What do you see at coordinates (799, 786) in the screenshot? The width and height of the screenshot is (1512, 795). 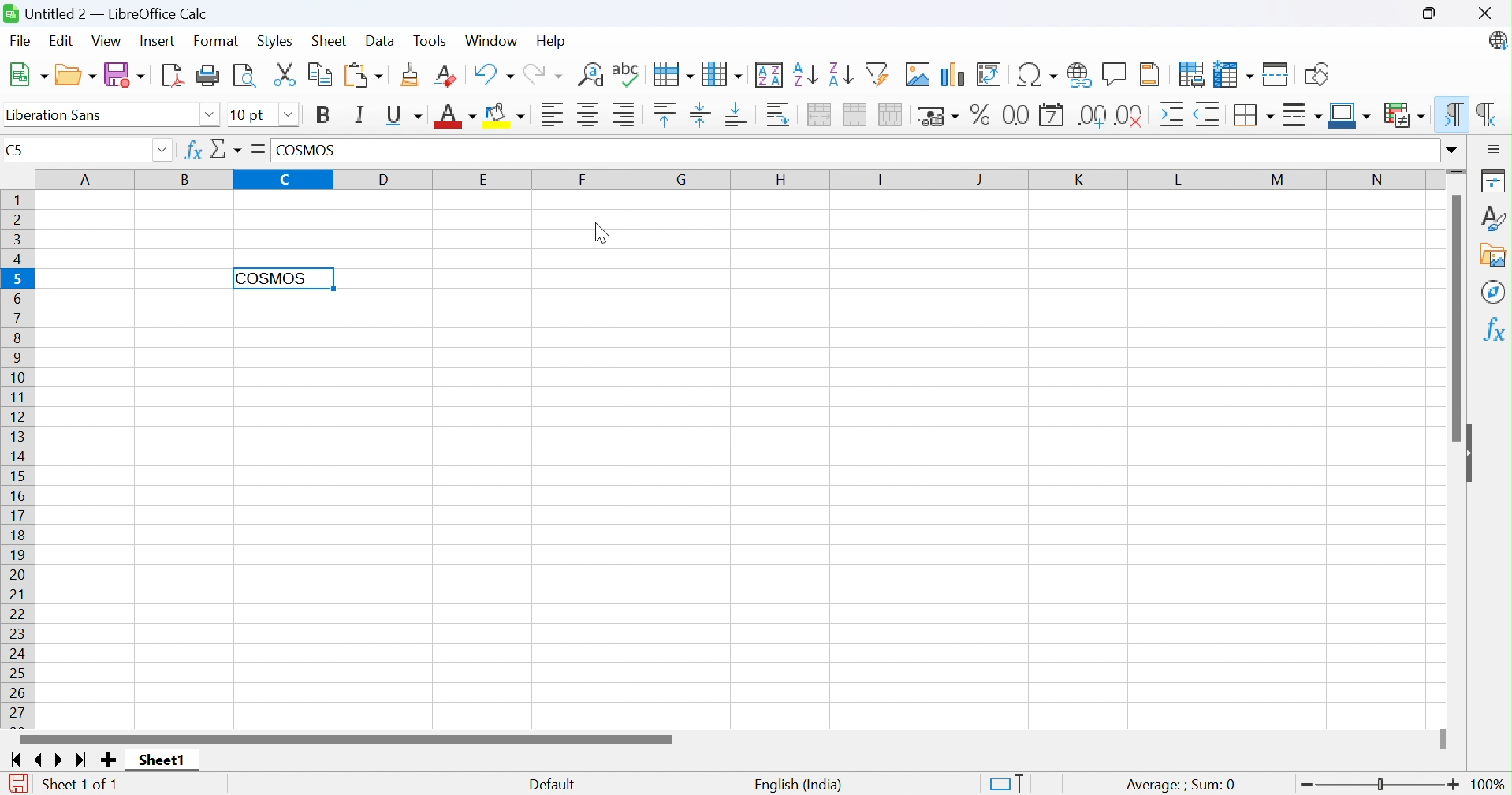 I see `English (India)` at bounding box center [799, 786].